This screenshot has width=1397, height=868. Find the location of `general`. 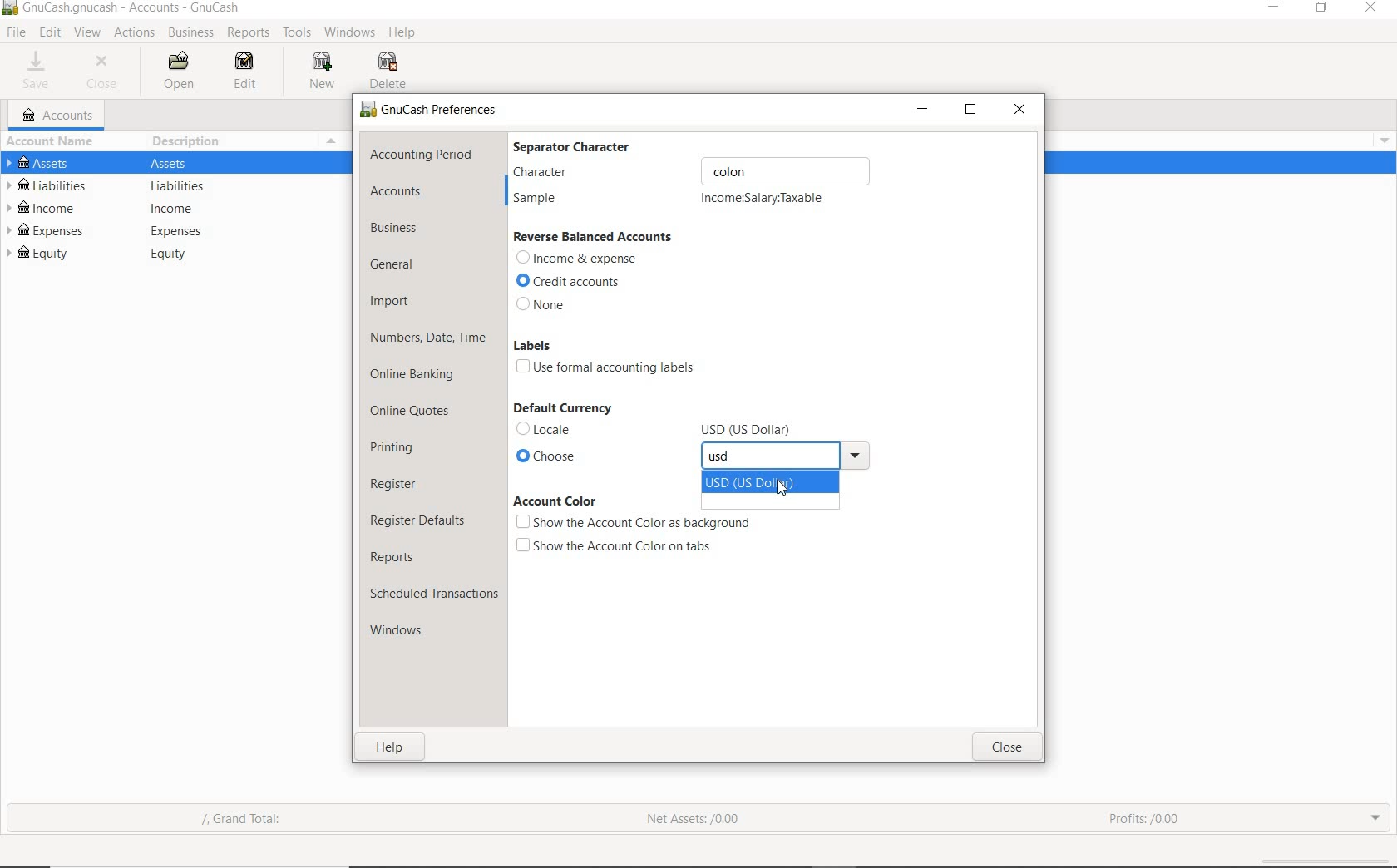

general is located at coordinates (398, 265).